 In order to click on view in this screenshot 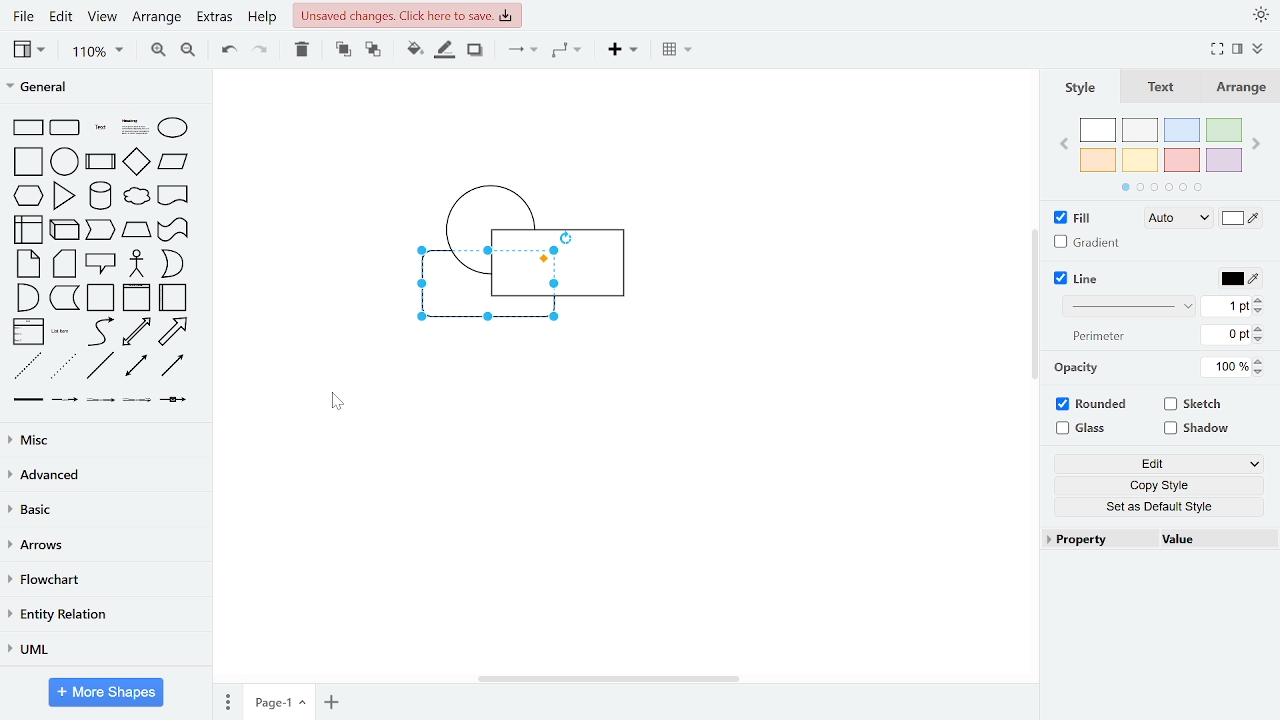, I will do `click(36, 52)`.